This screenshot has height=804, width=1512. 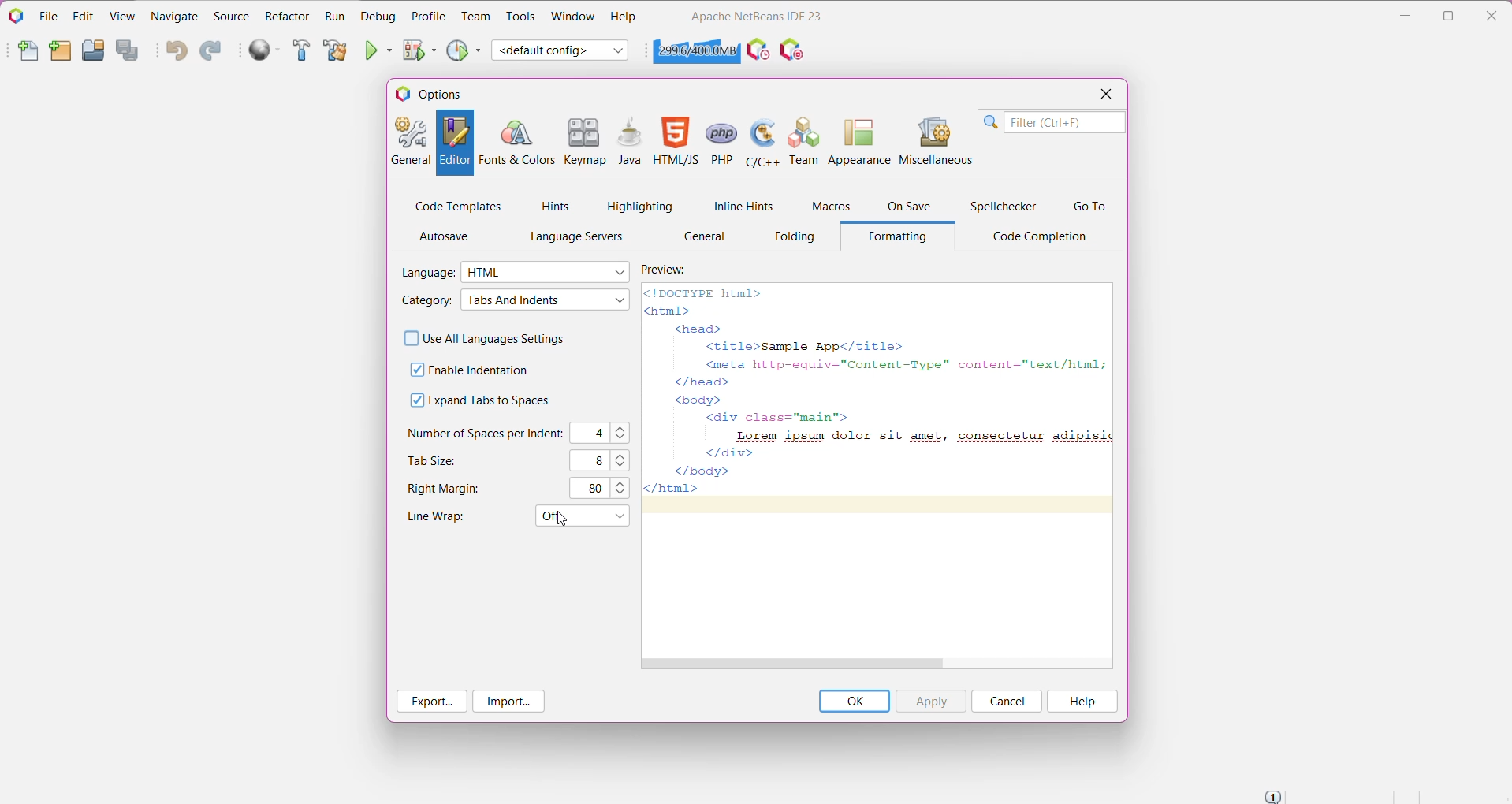 What do you see at coordinates (626, 460) in the screenshot?
I see `Set the required tab size` at bounding box center [626, 460].